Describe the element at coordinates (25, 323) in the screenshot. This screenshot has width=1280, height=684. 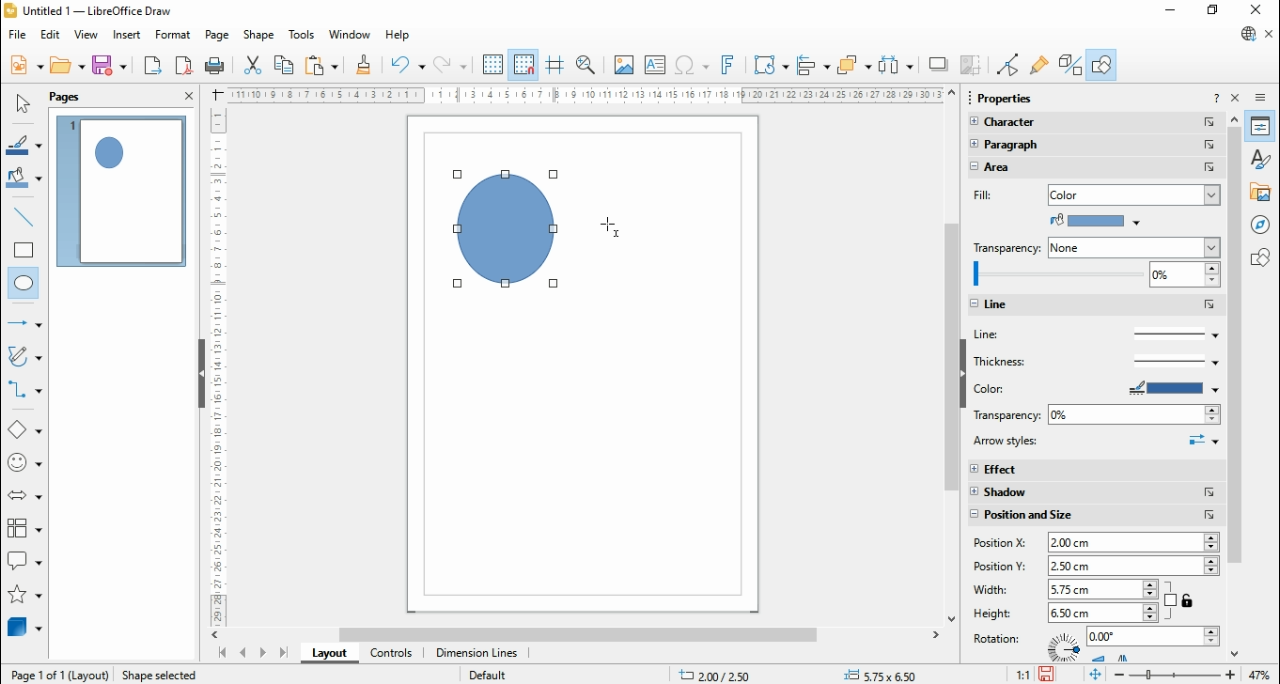
I see `line and arrows` at that location.